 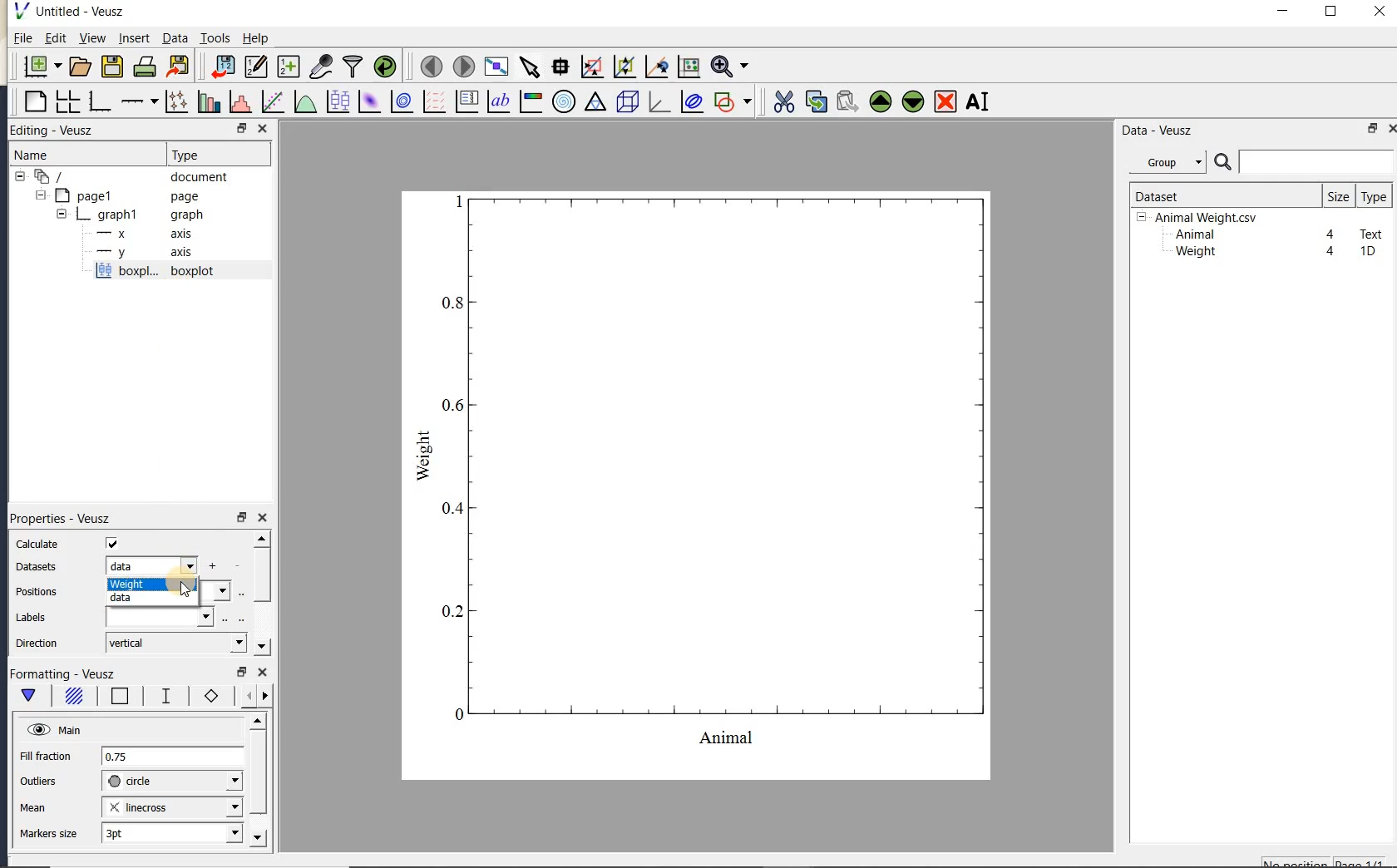 I want to click on filter data, so click(x=353, y=65).